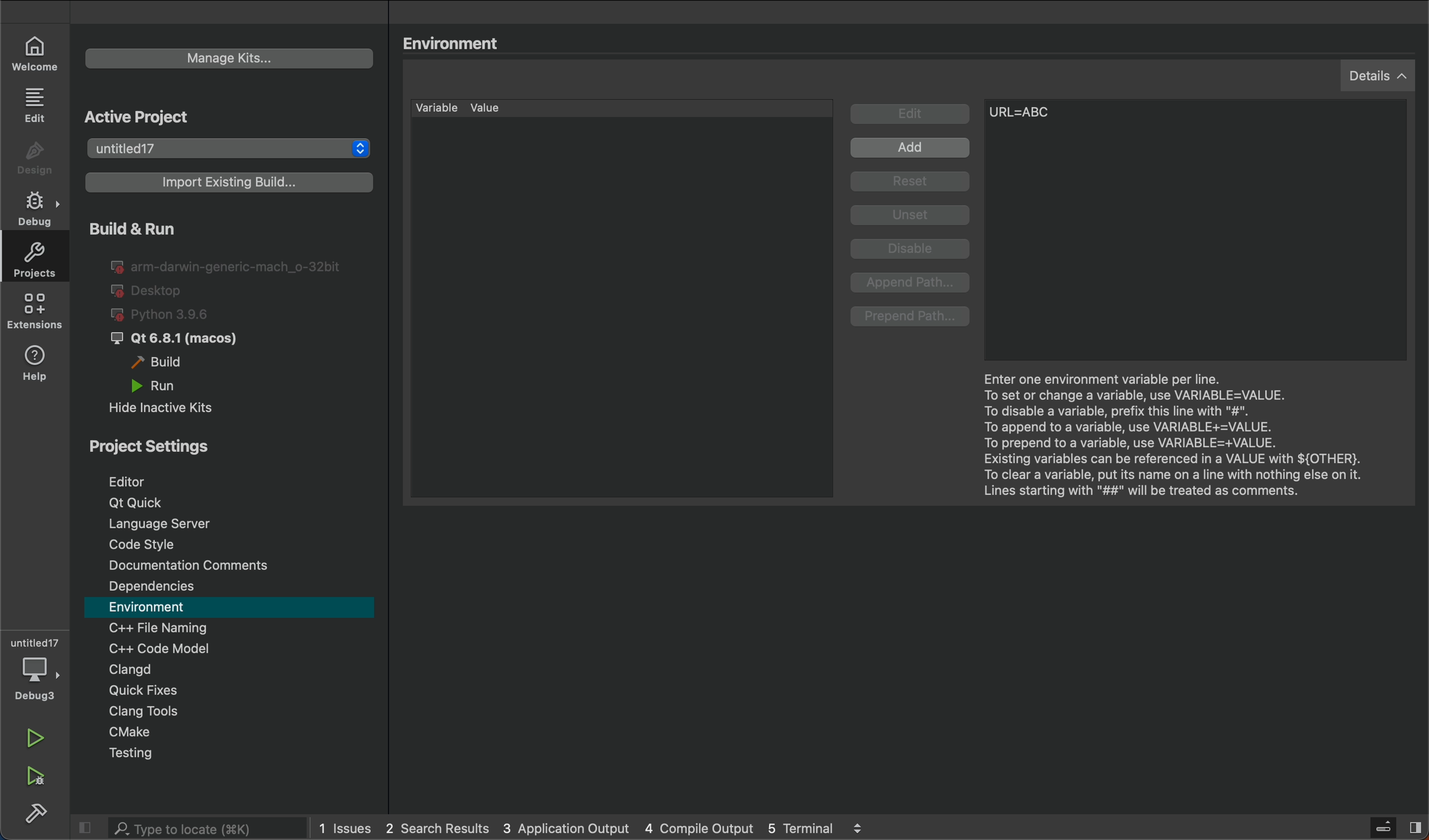  I want to click on run, so click(43, 741).